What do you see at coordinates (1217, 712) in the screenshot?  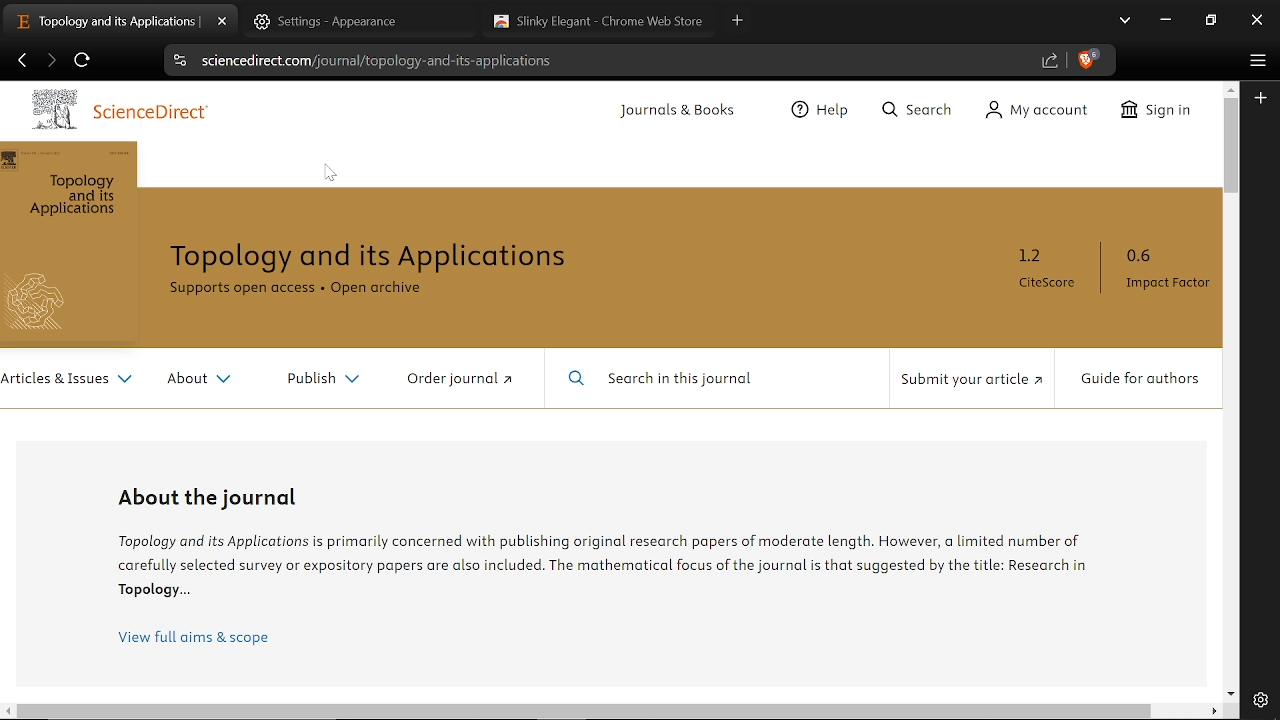 I see `Move right` at bounding box center [1217, 712].